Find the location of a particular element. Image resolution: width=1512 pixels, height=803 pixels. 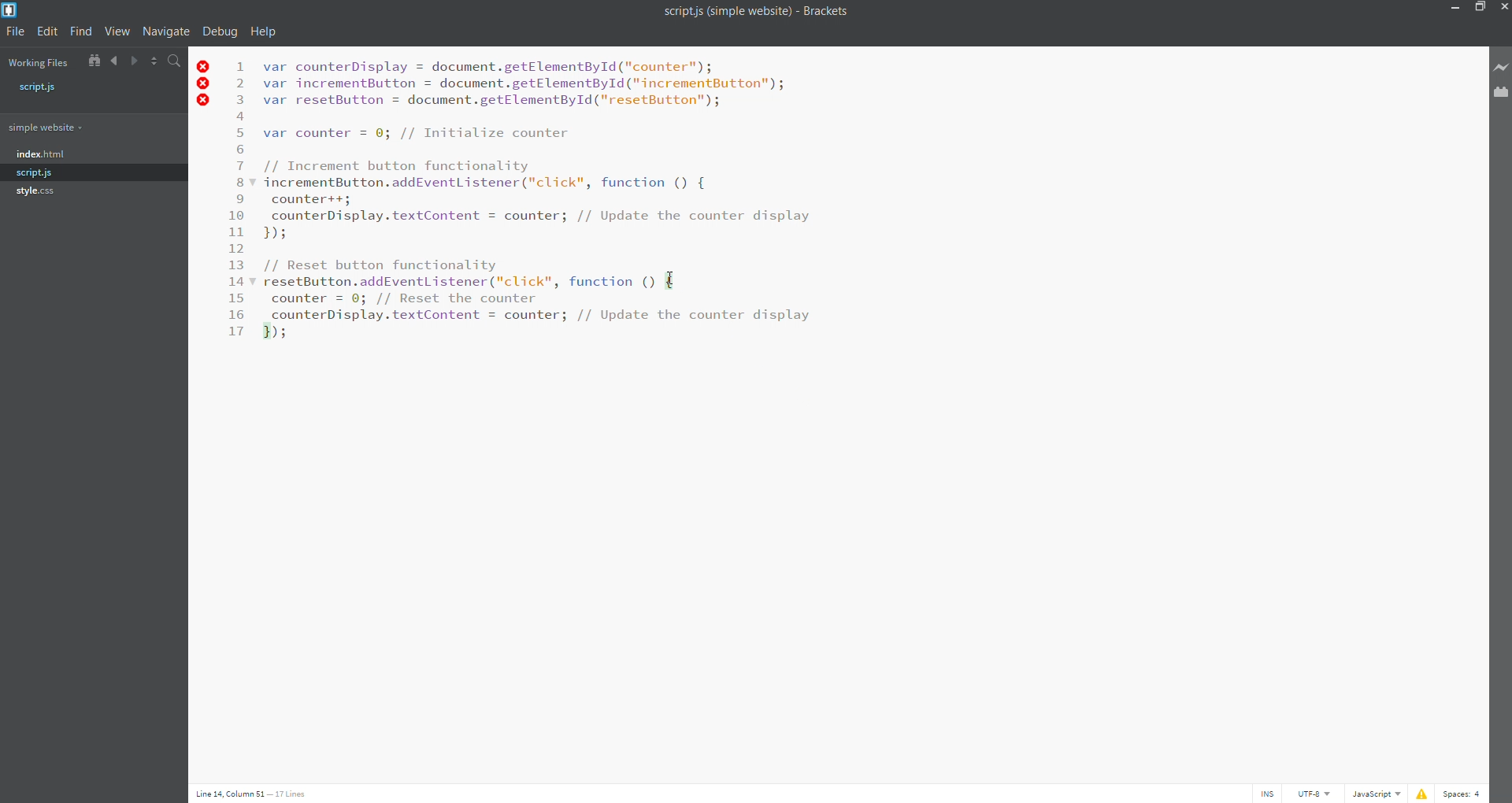

logo is located at coordinates (13, 10).